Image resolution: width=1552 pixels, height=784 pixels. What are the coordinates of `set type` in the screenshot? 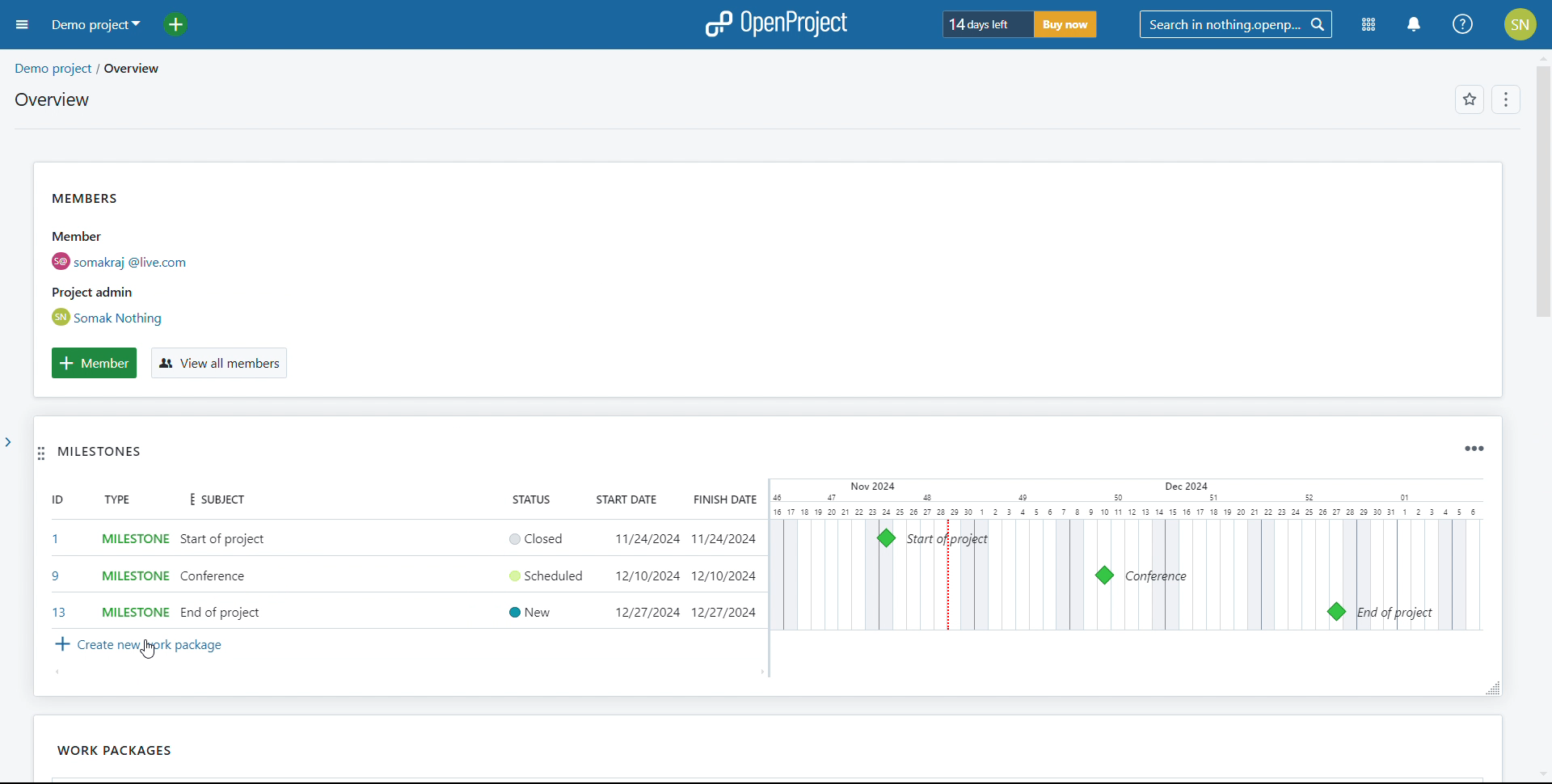 It's located at (134, 573).